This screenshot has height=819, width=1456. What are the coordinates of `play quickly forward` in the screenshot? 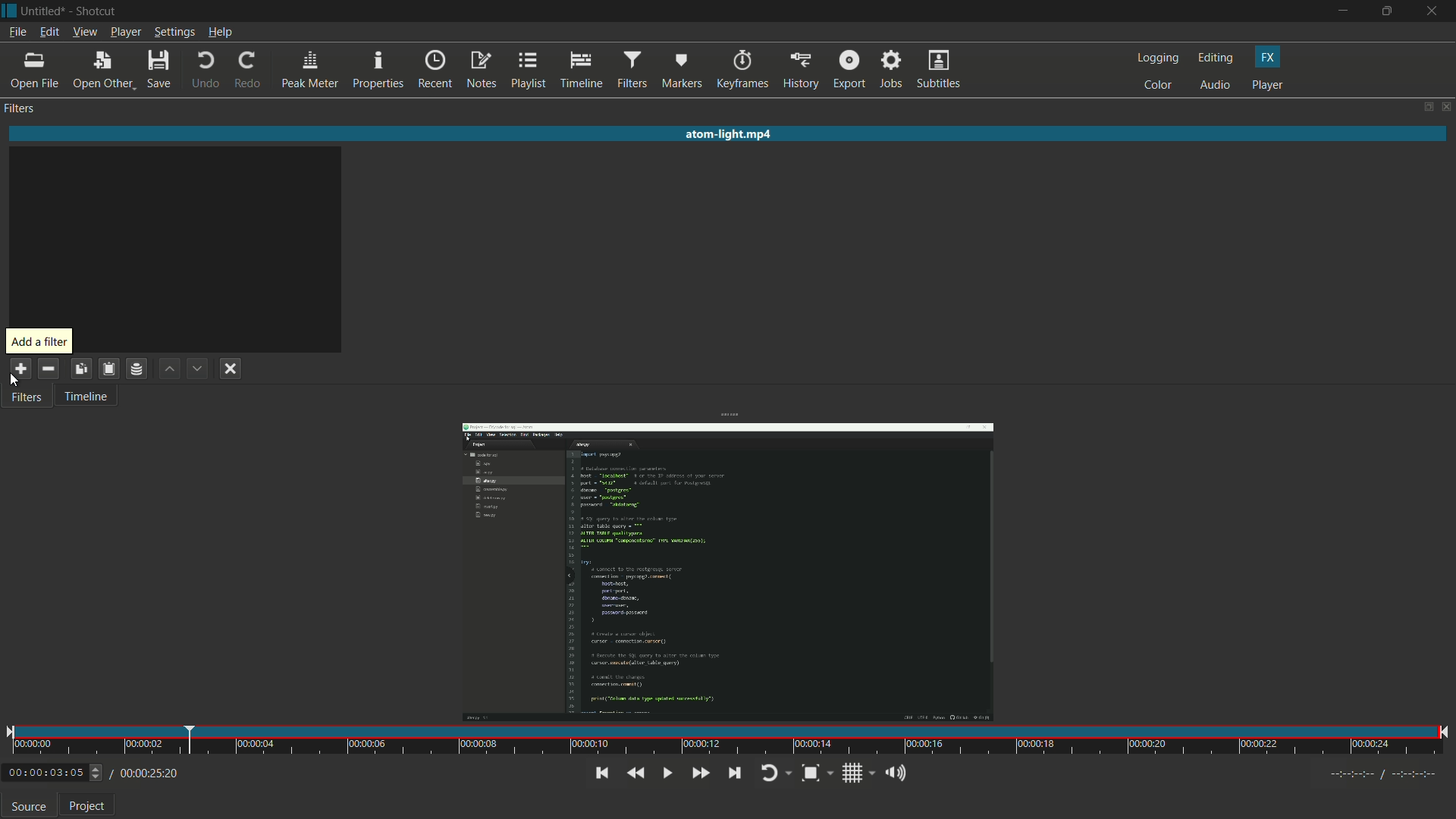 It's located at (702, 772).